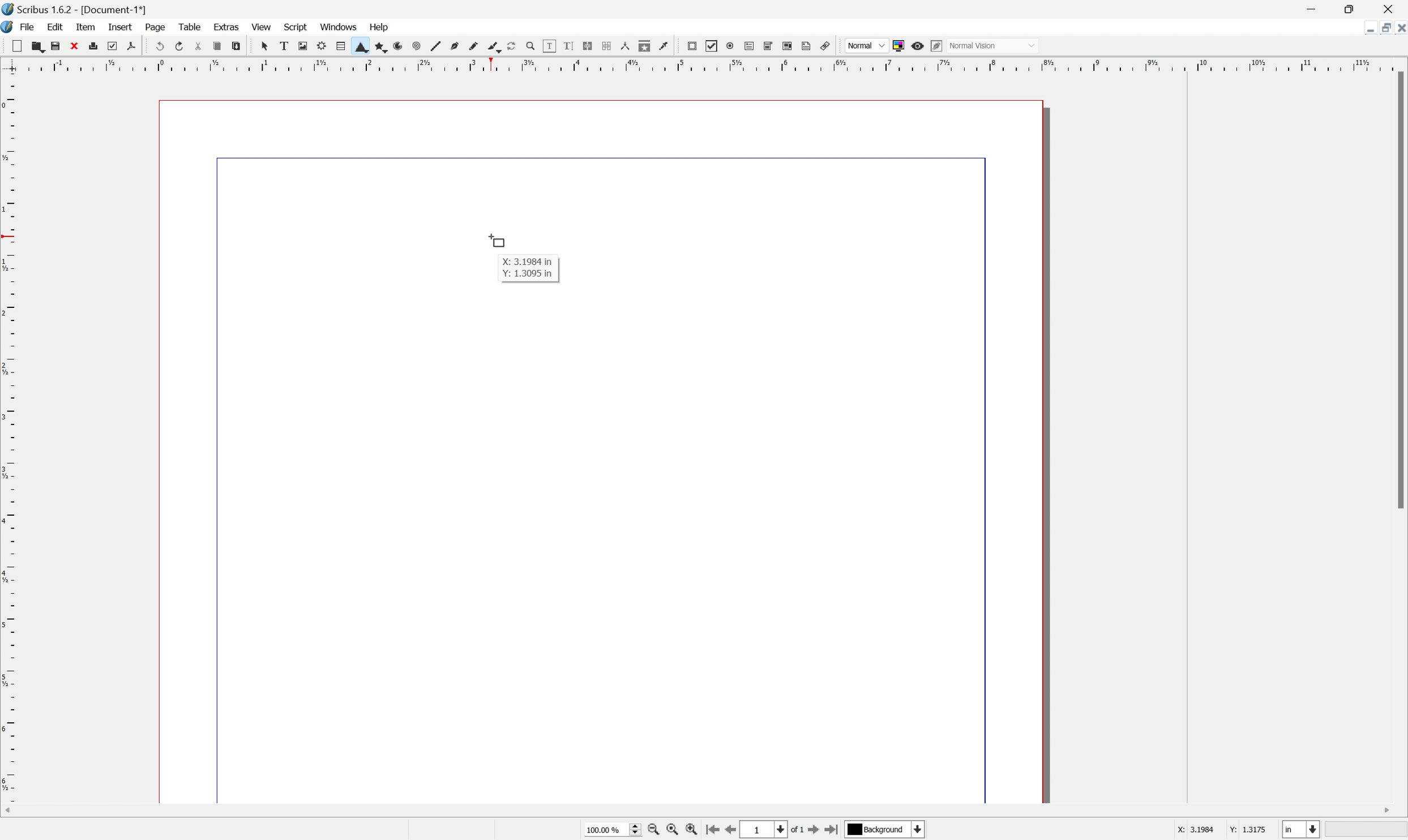  I want to click on Scroll Bar, so click(1399, 290).